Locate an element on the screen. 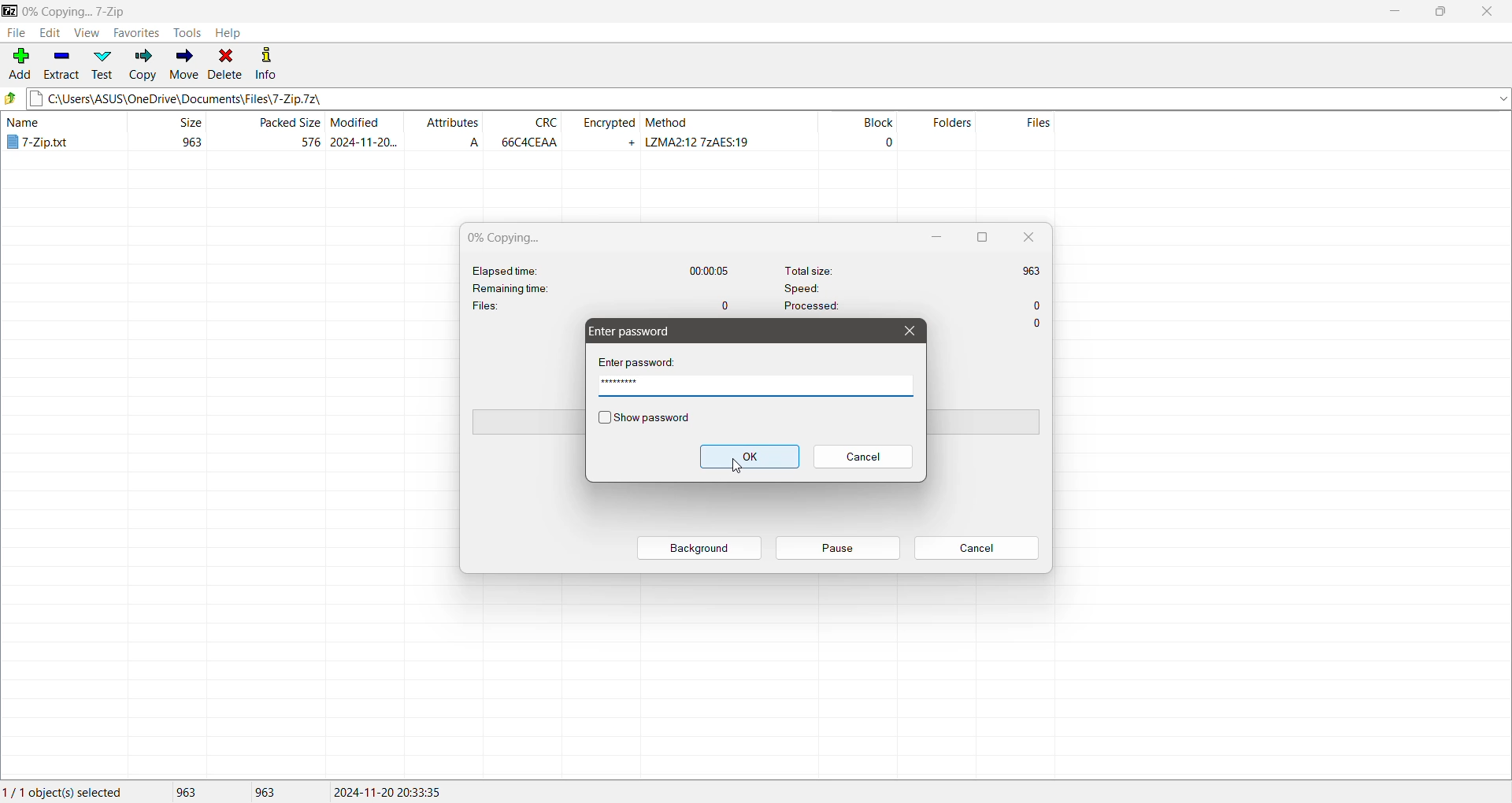 This screenshot has width=1512, height=803. Speed is located at coordinates (905, 287).